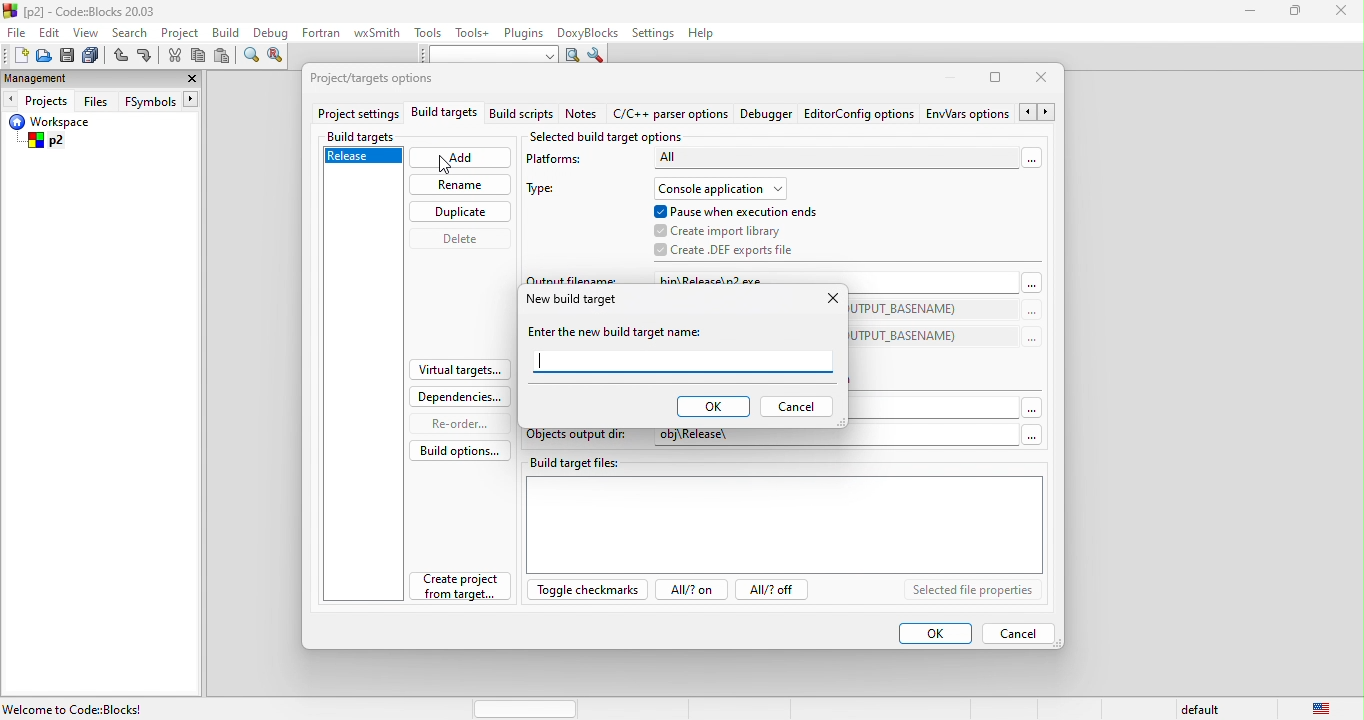 This screenshot has height=720, width=1364. What do you see at coordinates (833, 297) in the screenshot?
I see `close` at bounding box center [833, 297].